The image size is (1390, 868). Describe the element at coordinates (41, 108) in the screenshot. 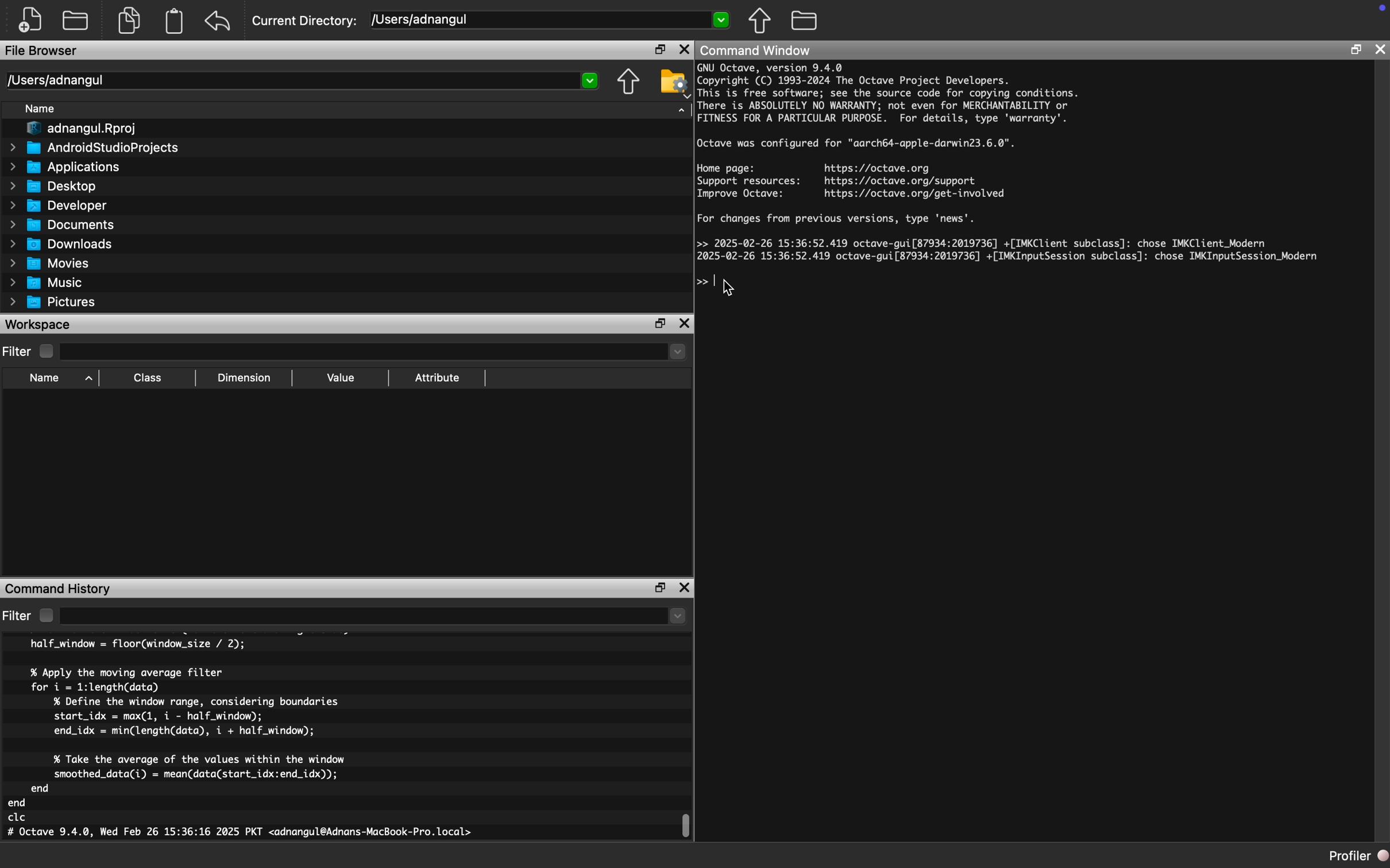

I see `Name` at that location.